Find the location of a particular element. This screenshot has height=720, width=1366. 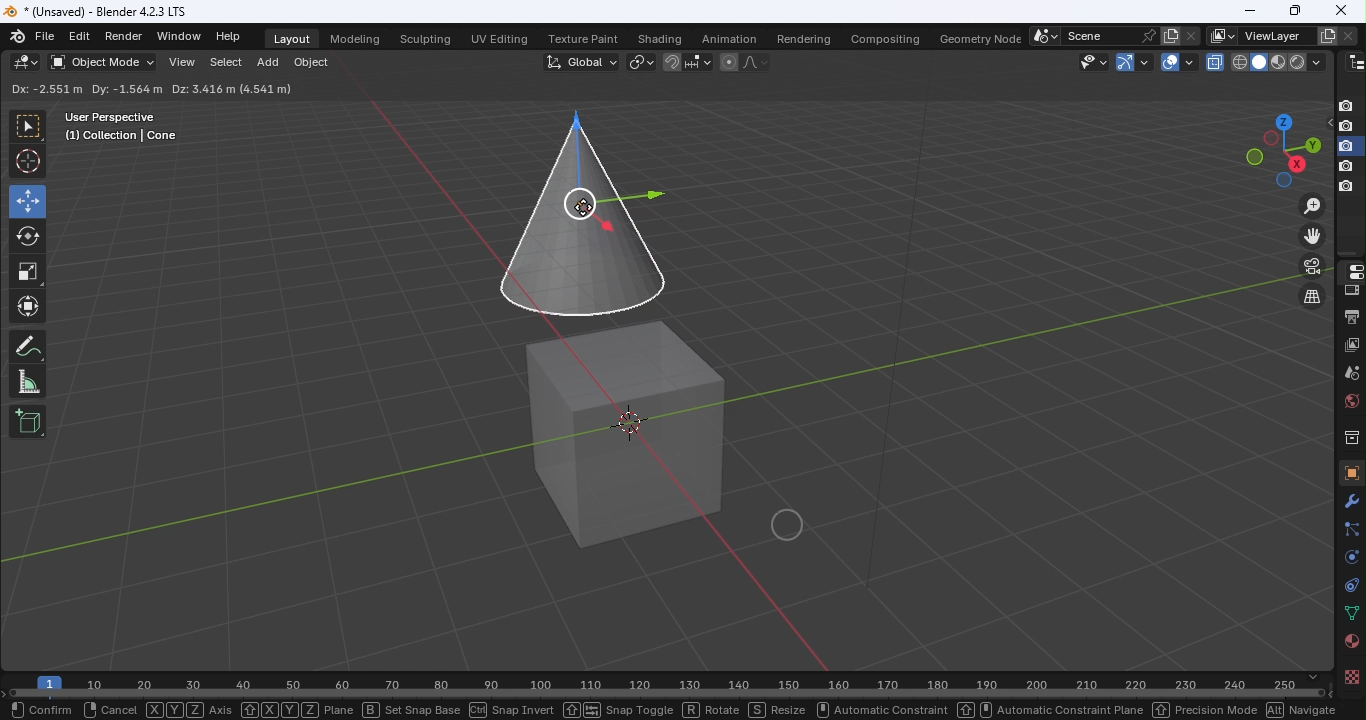

Select is located at coordinates (222, 65).